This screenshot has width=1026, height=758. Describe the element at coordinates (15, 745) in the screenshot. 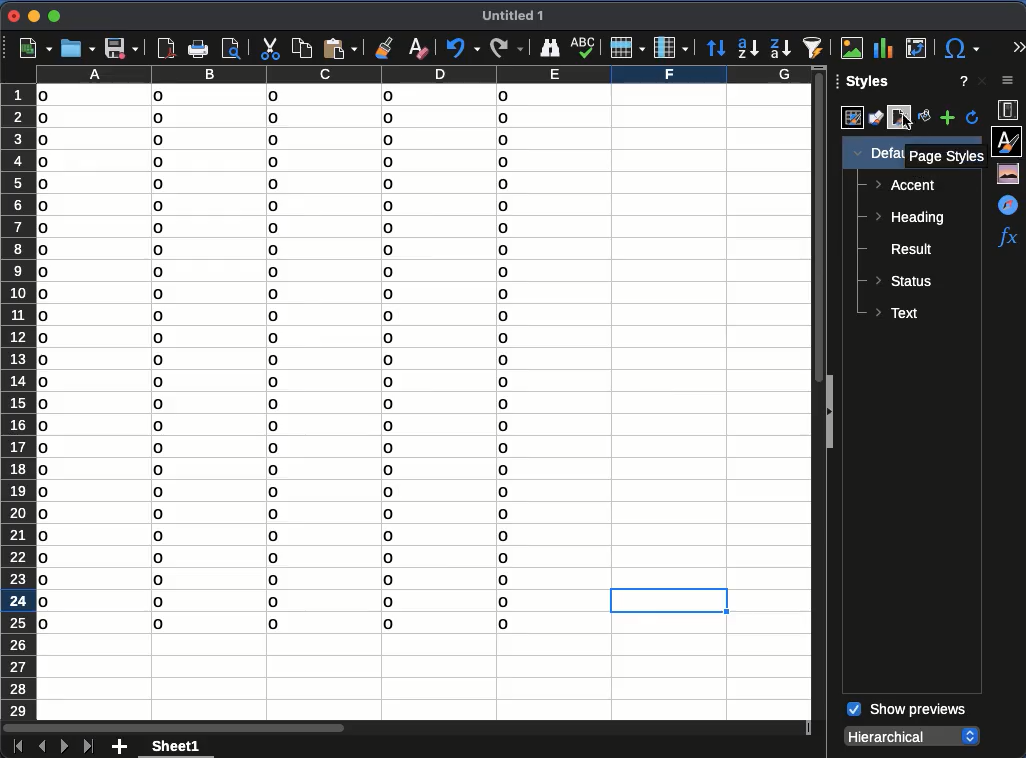

I see `first sheet` at that location.